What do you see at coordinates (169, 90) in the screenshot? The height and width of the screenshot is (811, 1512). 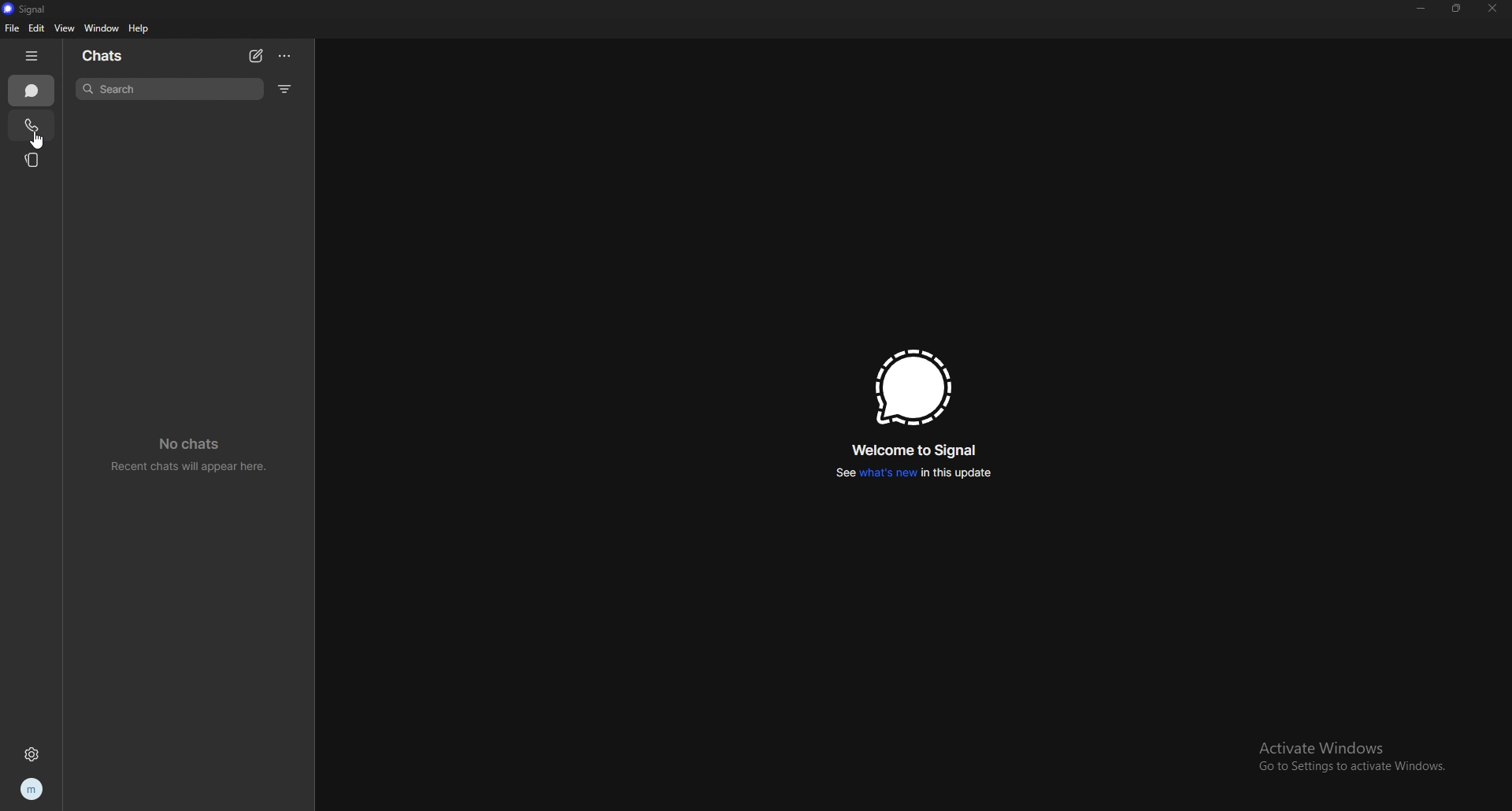 I see `search` at bounding box center [169, 90].